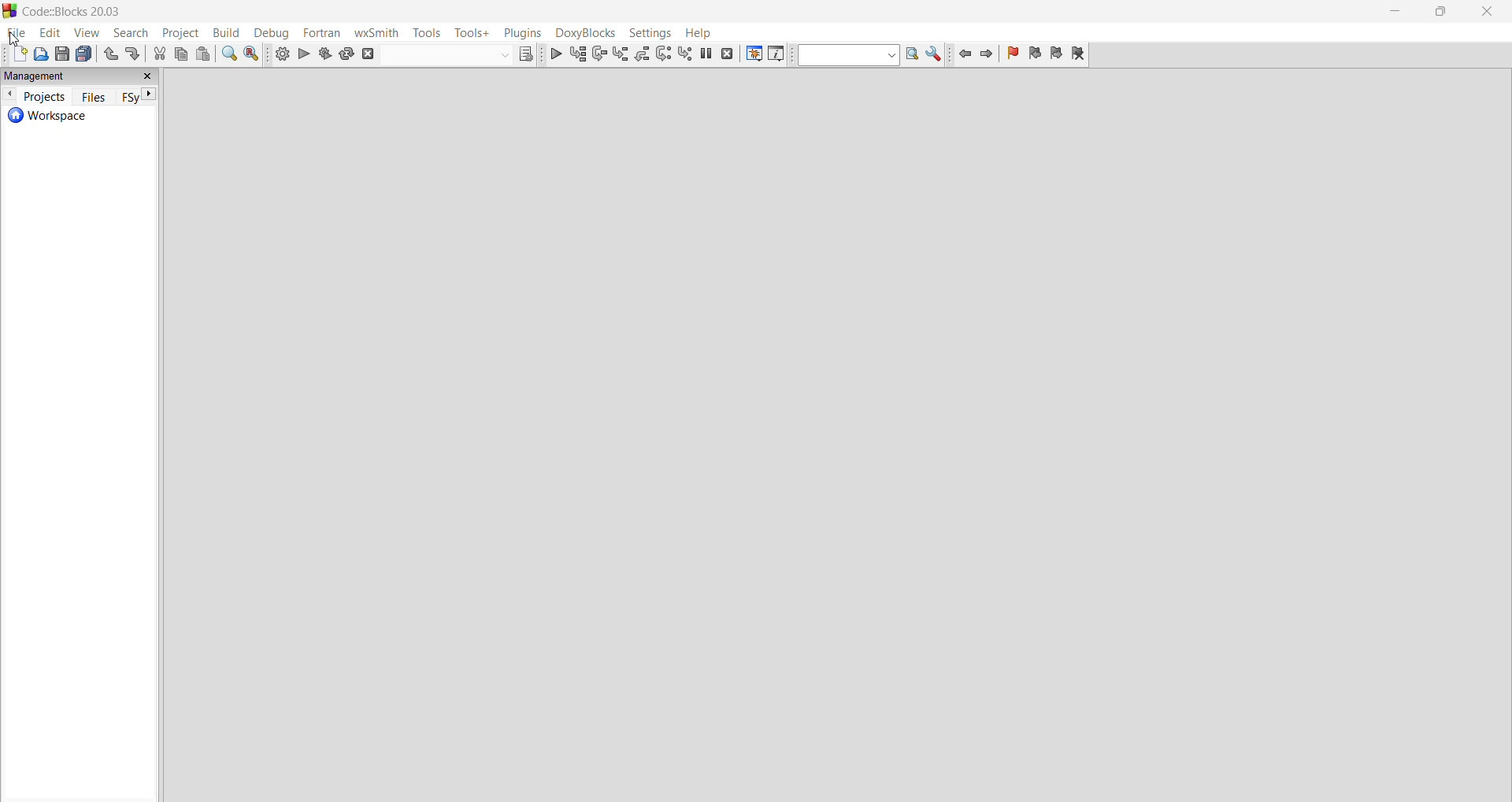 This screenshot has width=1512, height=802. I want to click on next bookmark, so click(1056, 54).